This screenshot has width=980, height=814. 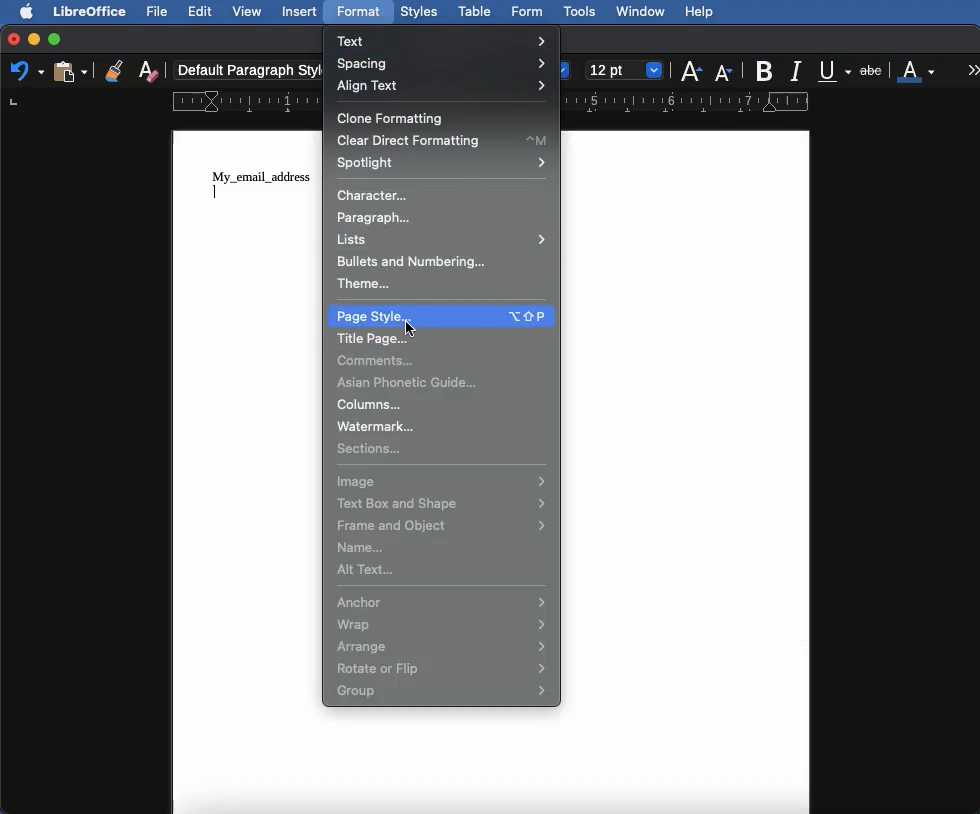 I want to click on , so click(x=246, y=70).